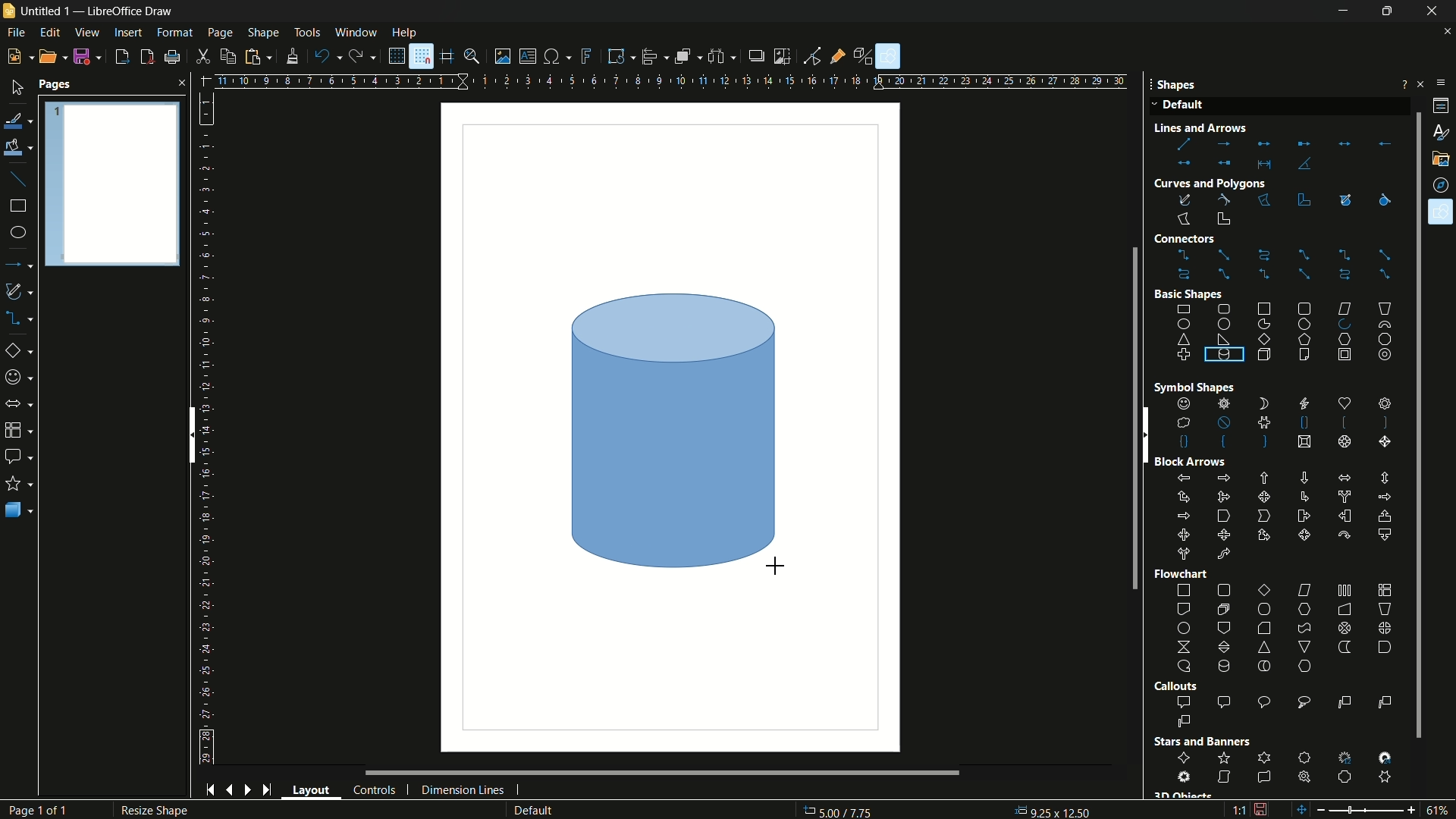 This screenshot has height=819, width=1456. What do you see at coordinates (1188, 293) in the screenshot?
I see `Basic shape` at bounding box center [1188, 293].